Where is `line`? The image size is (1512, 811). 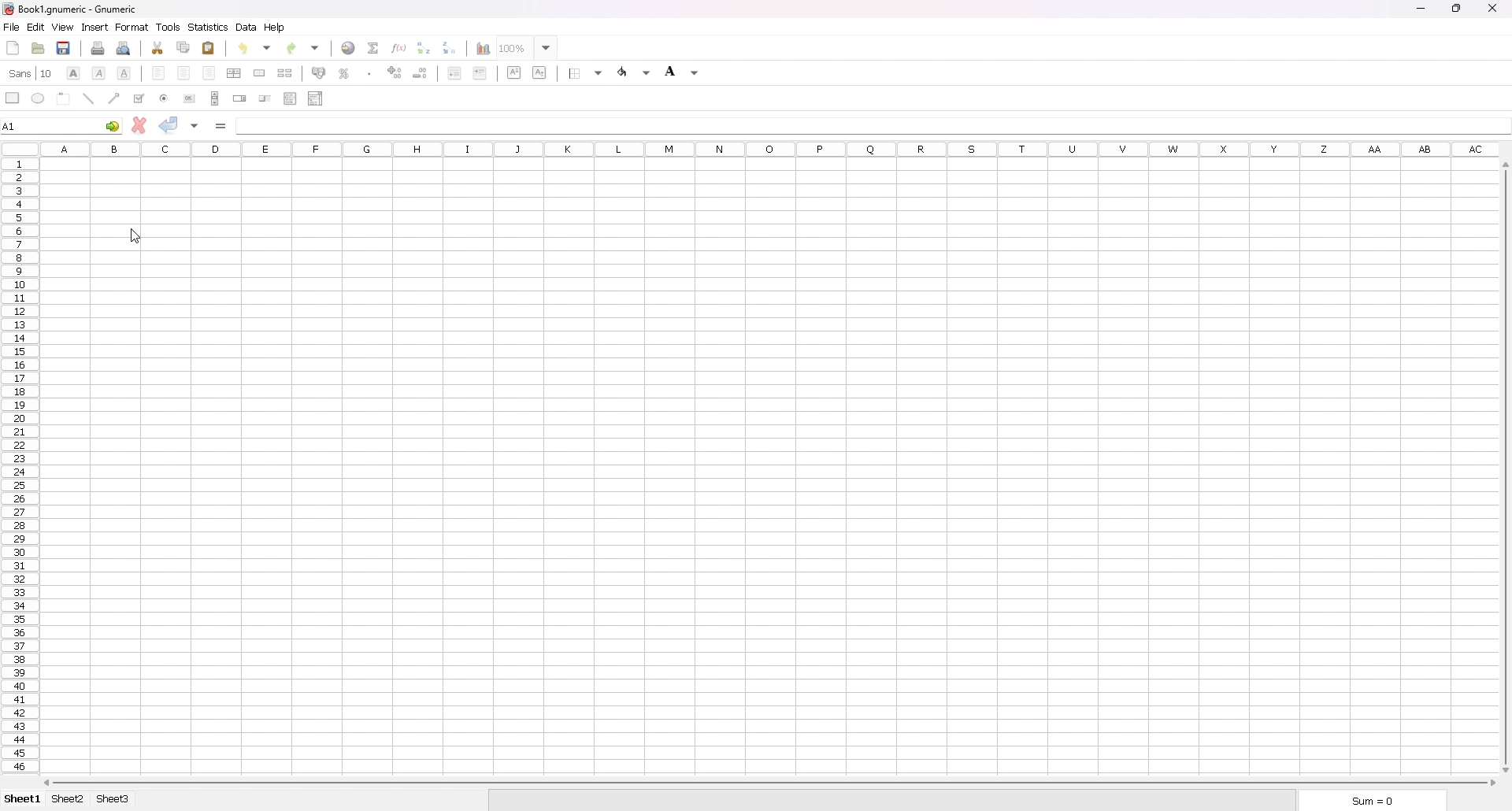
line is located at coordinates (88, 98).